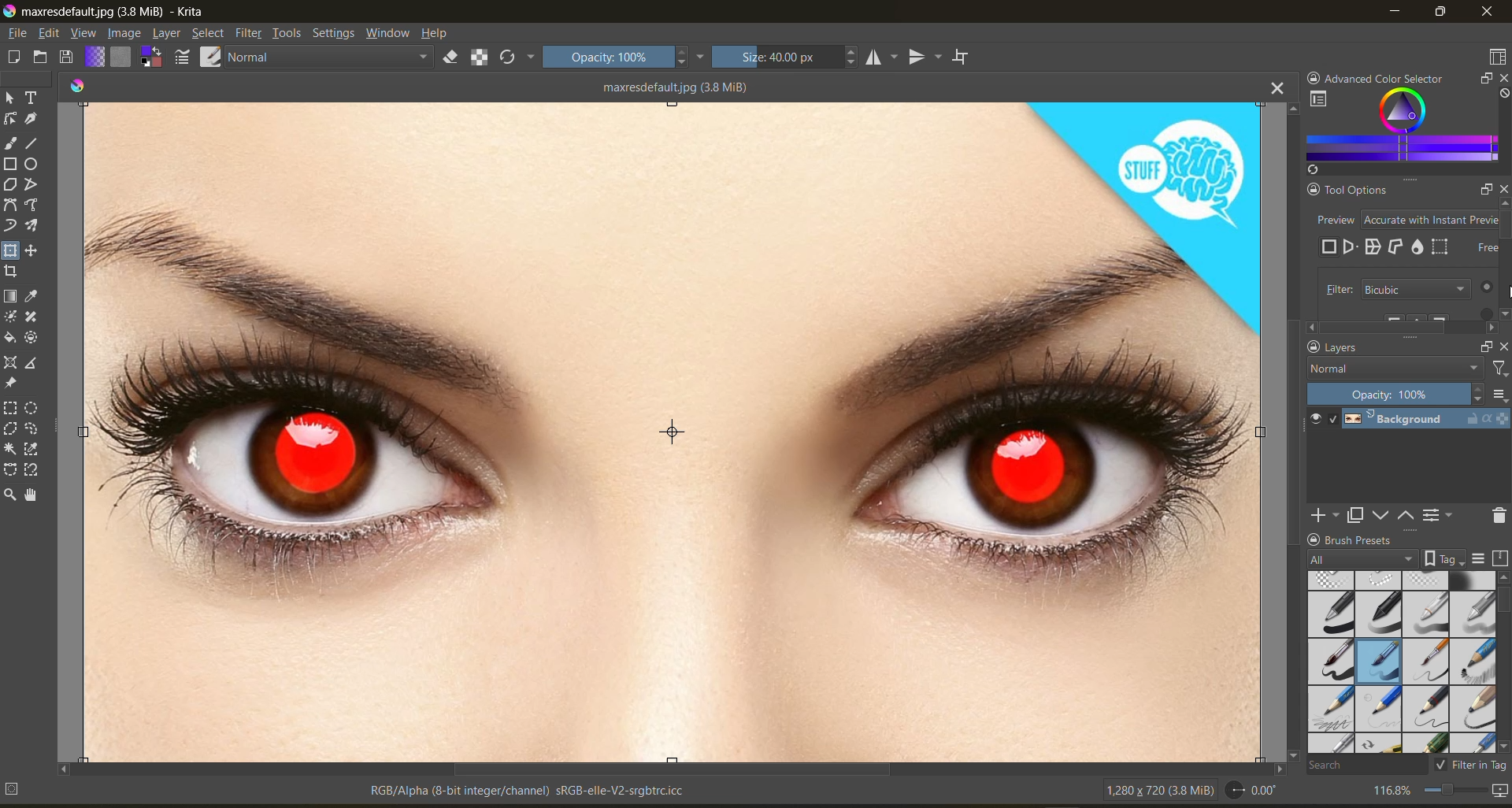 The width and height of the screenshot is (1512, 808). What do you see at coordinates (184, 57) in the screenshot?
I see `edit brush settings` at bounding box center [184, 57].